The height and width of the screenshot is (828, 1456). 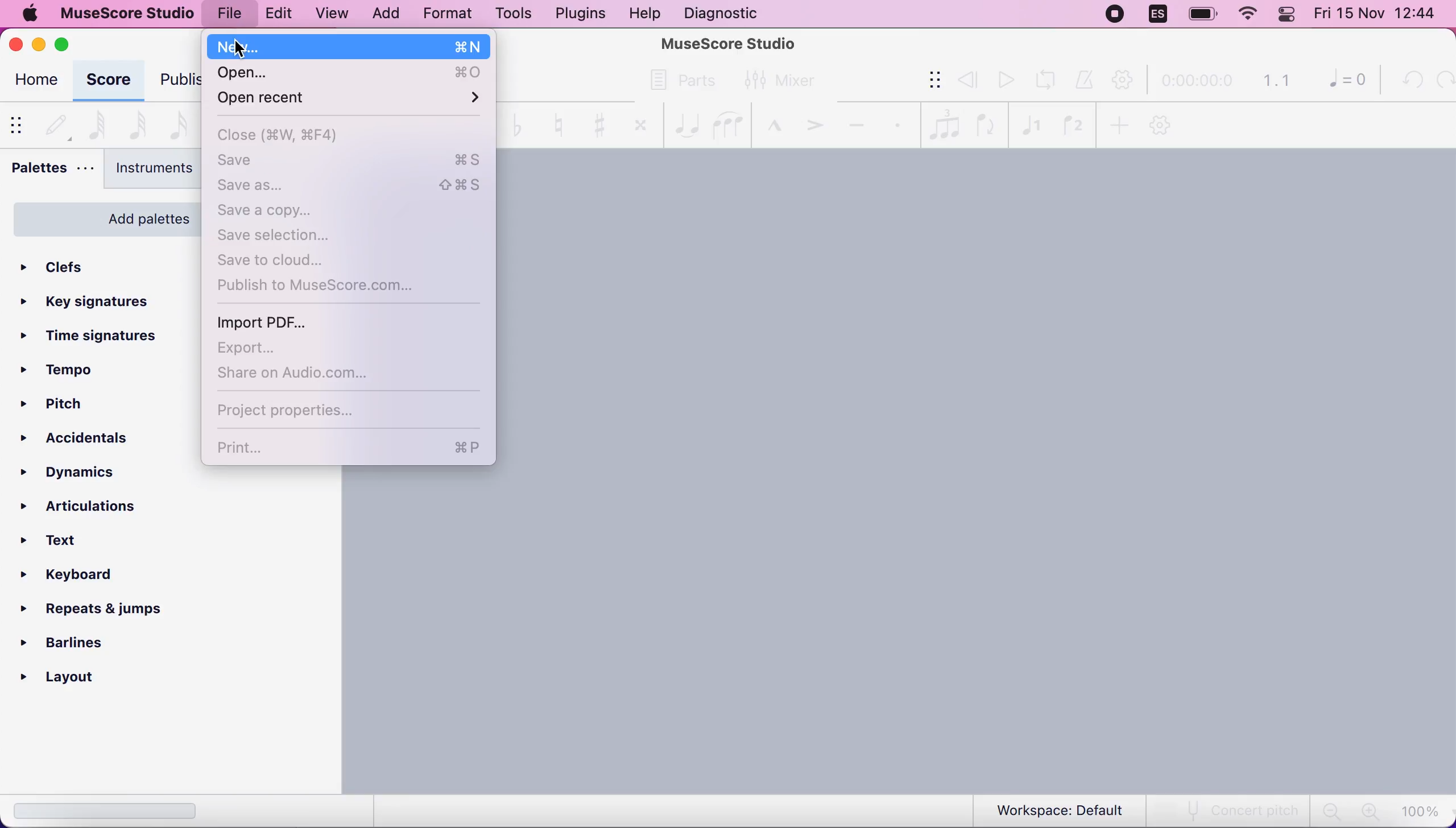 I want to click on show/hide, so click(x=20, y=124).